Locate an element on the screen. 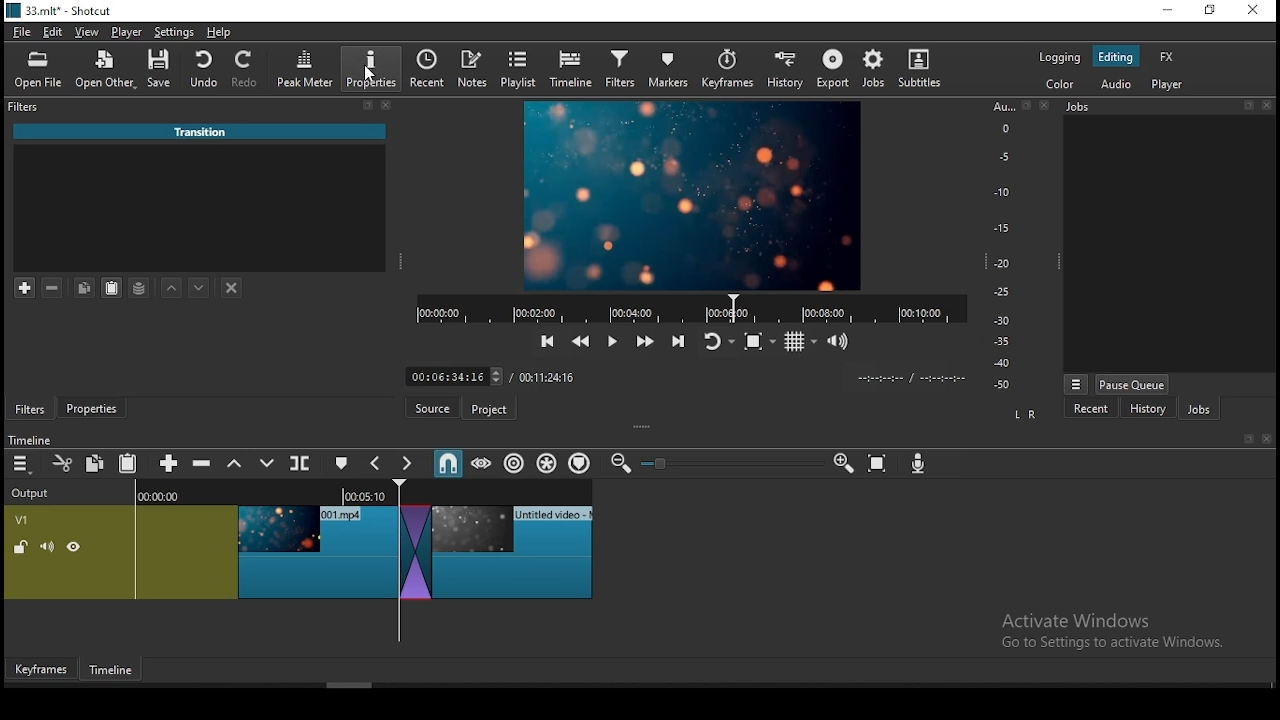 The width and height of the screenshot is (1280, 720). export is located at coordinates (835, 68).